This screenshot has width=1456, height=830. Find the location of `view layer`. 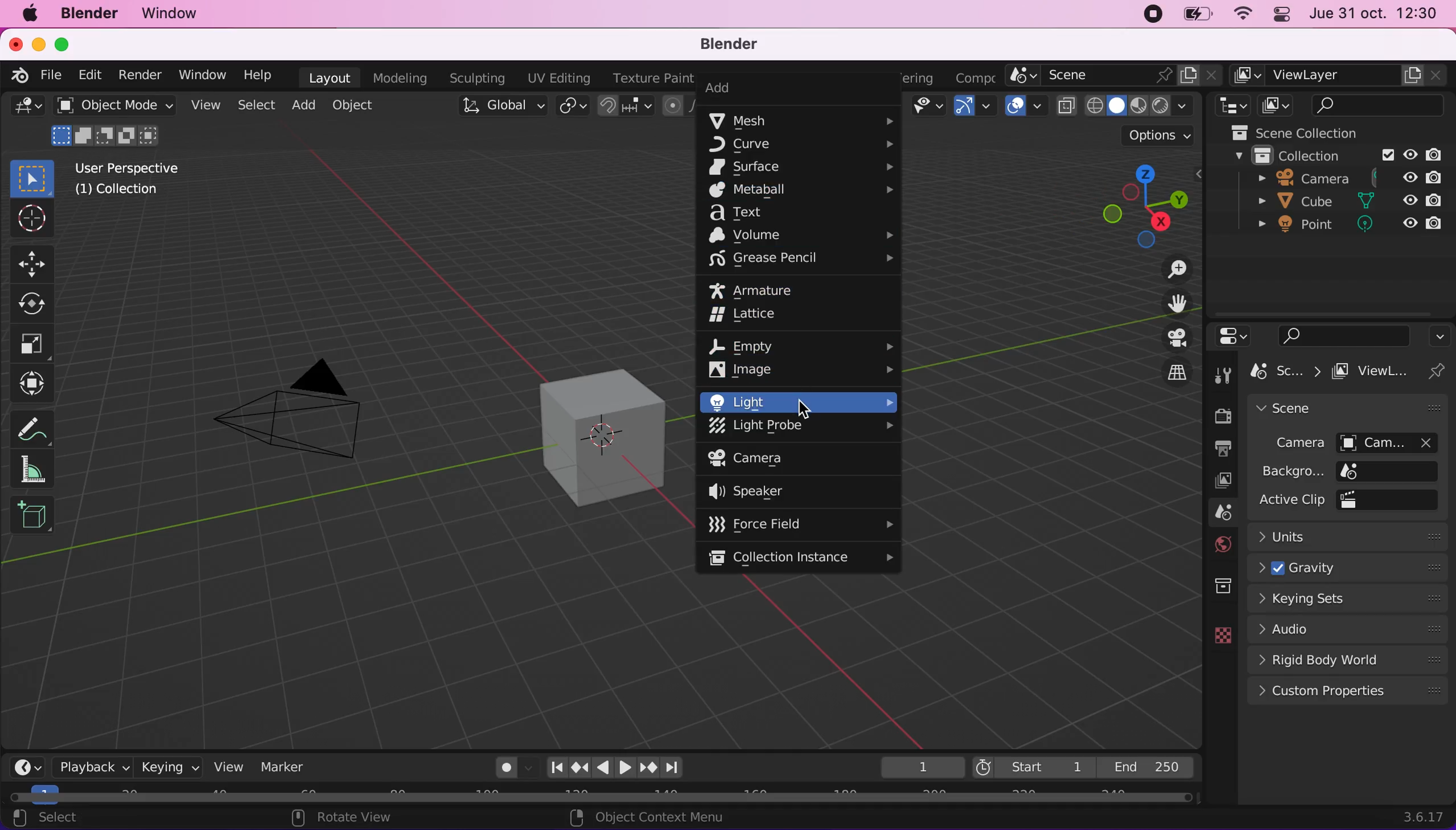

view layer is located at coordinates (1340, 74).